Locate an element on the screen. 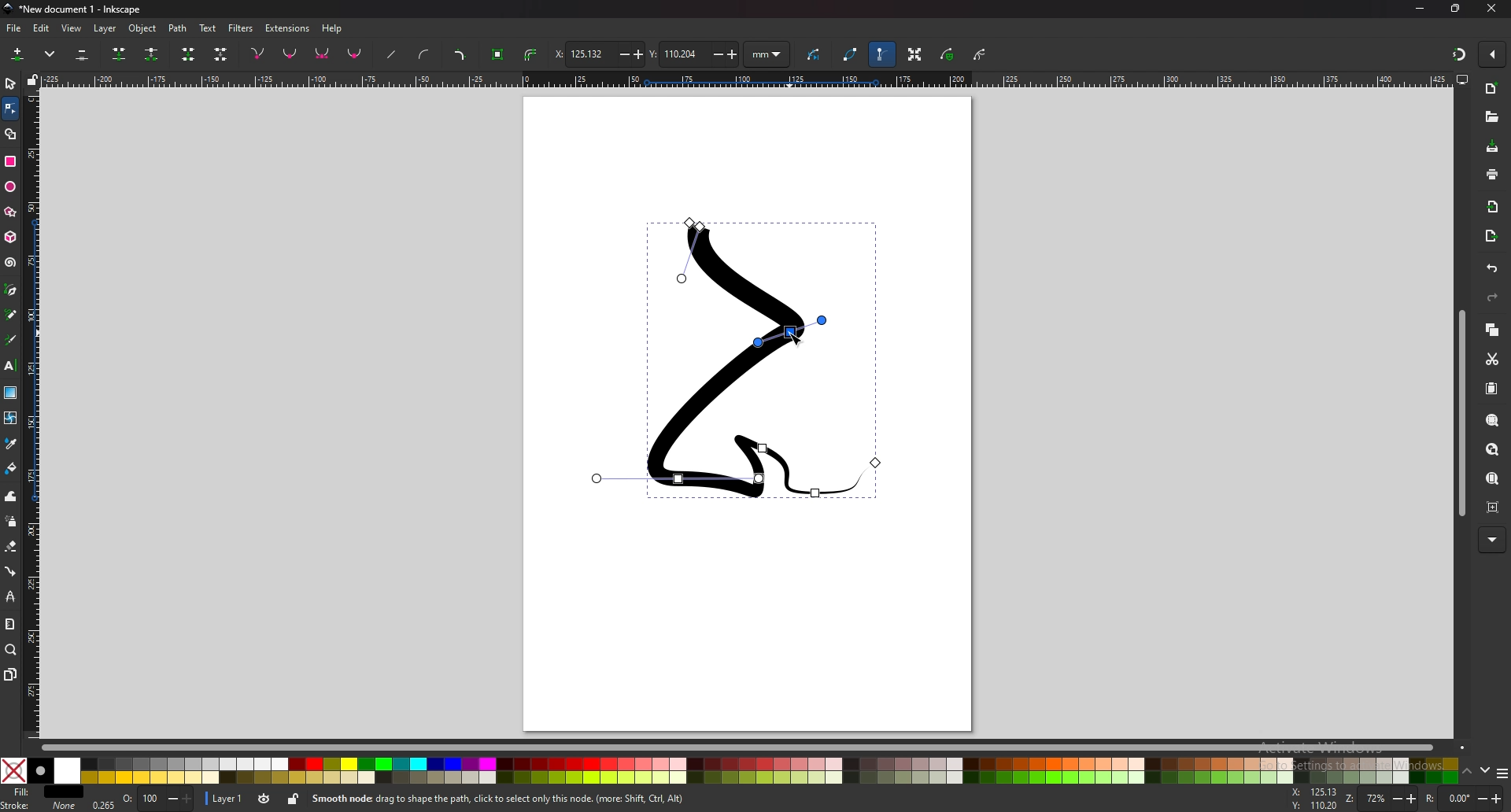 The height and width of the screenshot is (812, 1511). layer is located at coordinates (225, 797).